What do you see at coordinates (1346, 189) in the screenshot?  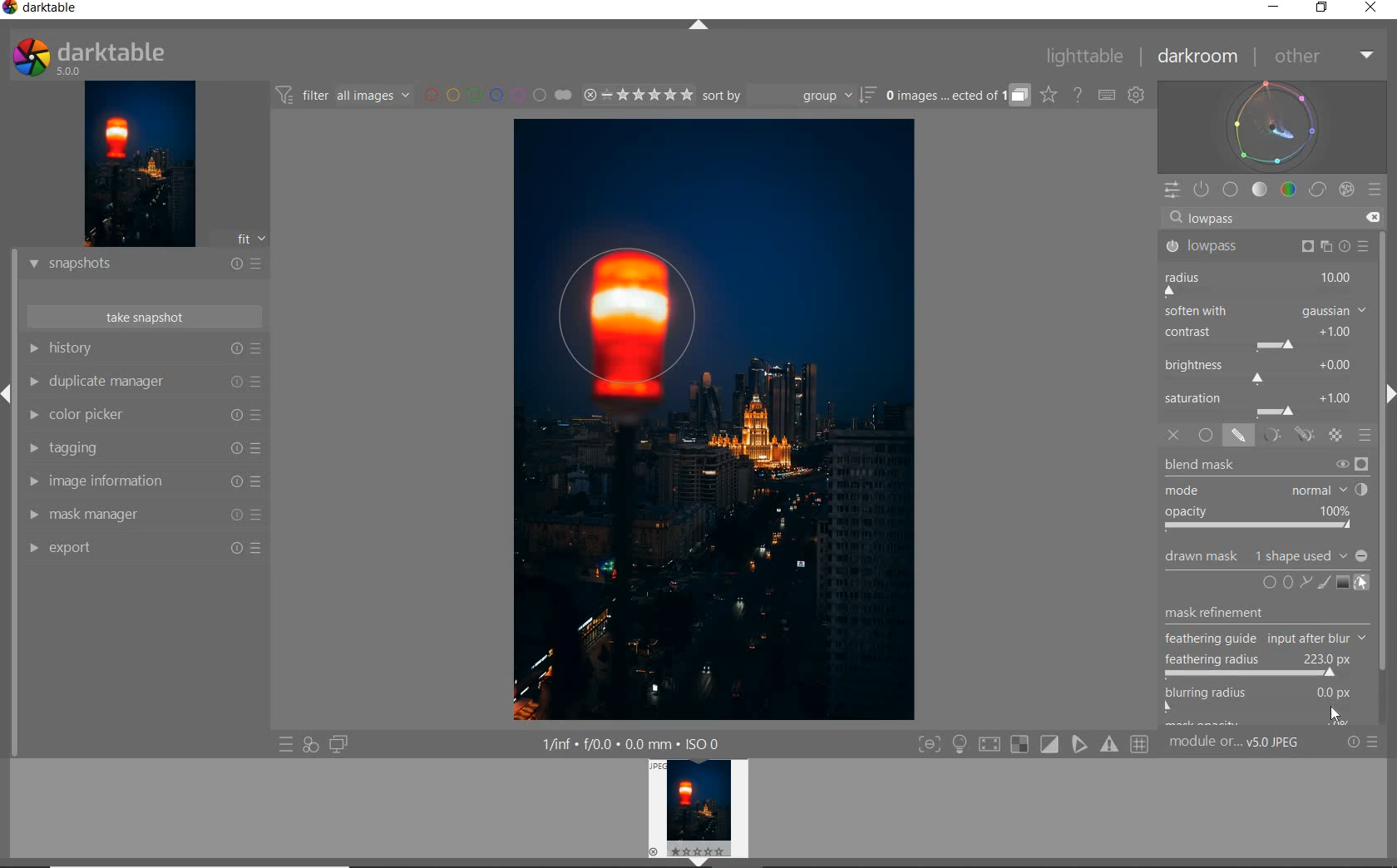 I see `EFFECT` at bounding box center [1346, 189].